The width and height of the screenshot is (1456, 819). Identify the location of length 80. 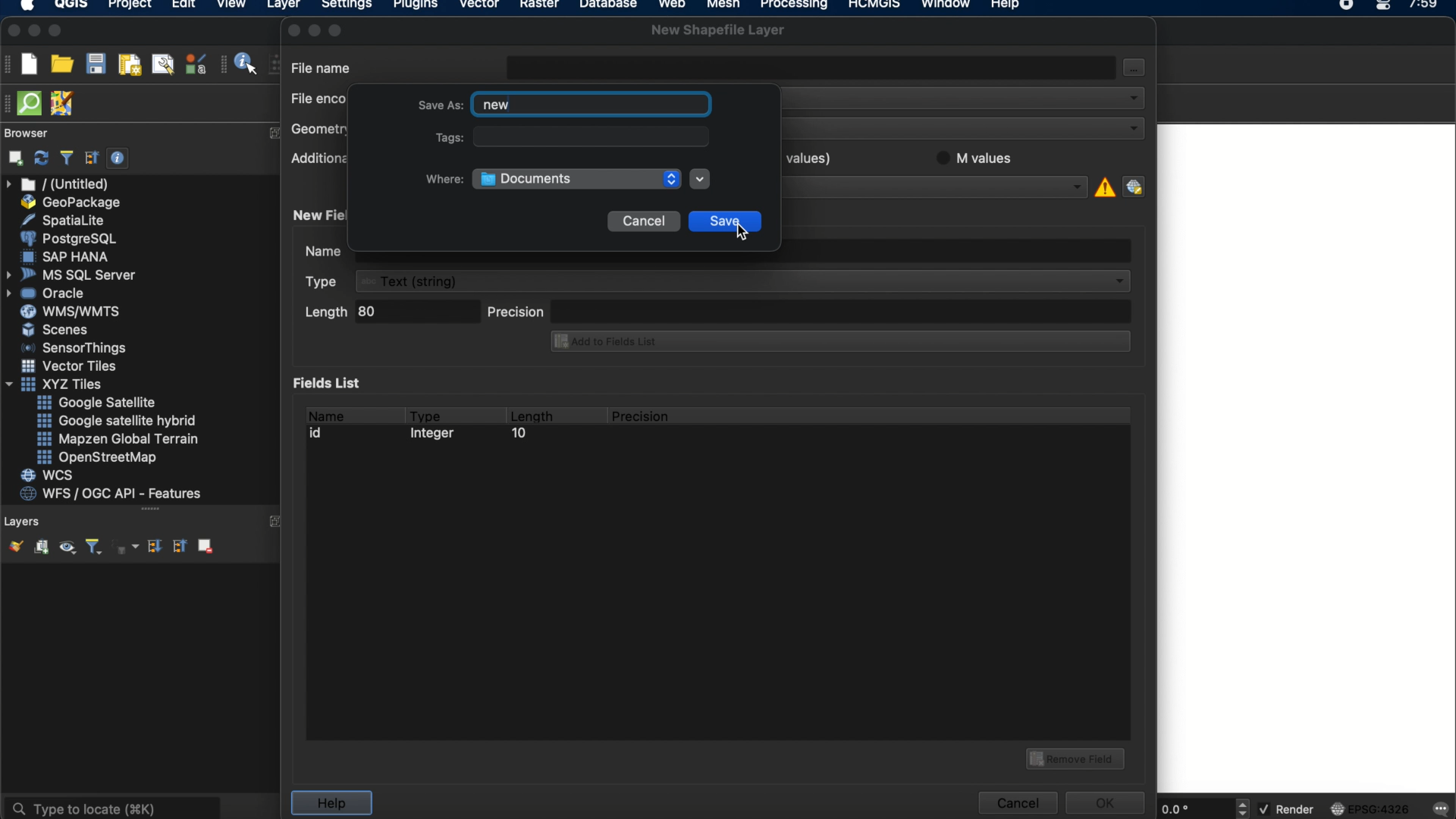
(389, 314).